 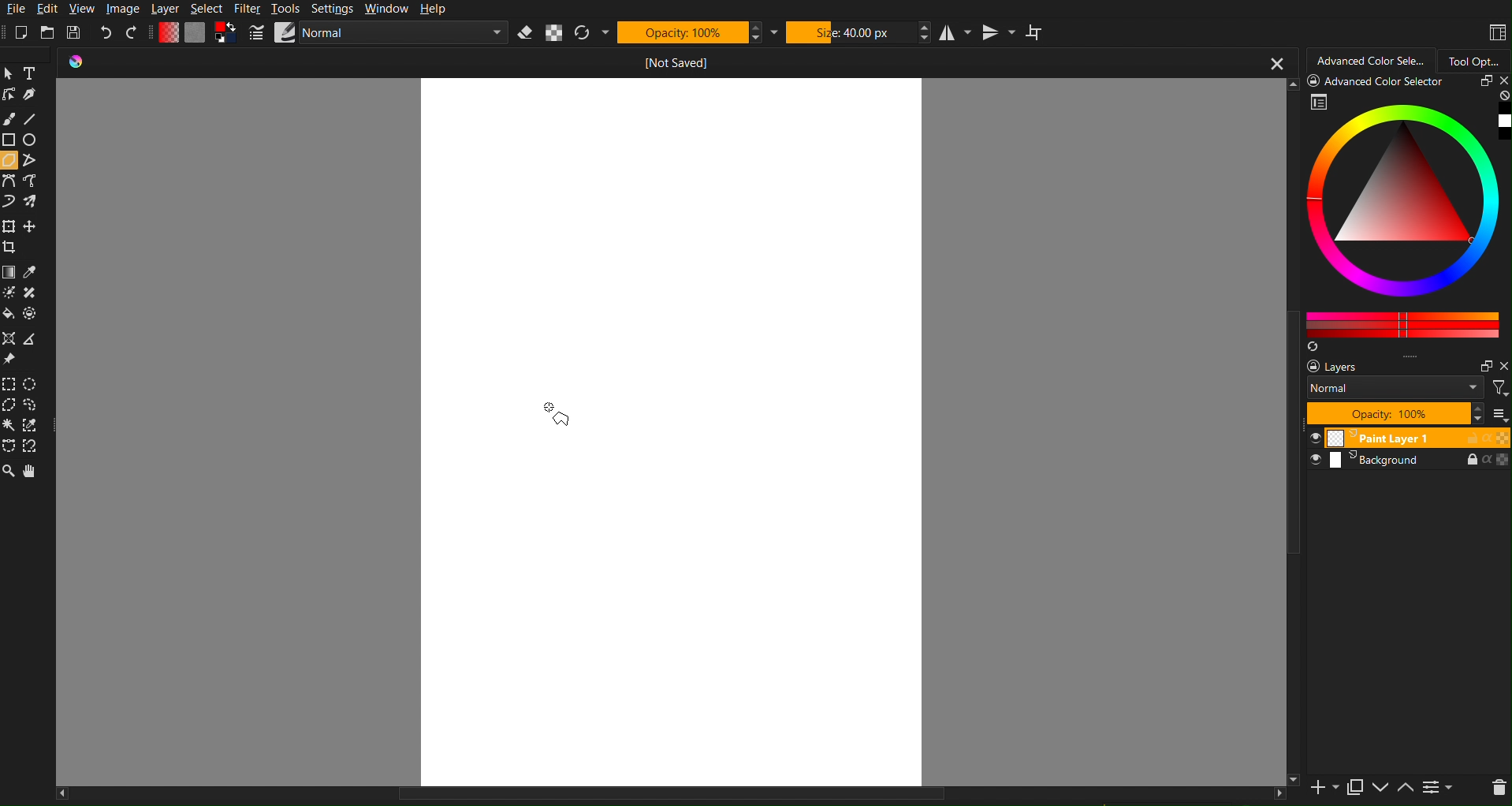 I want to click on move layer up, so click(x=1406, y=789).